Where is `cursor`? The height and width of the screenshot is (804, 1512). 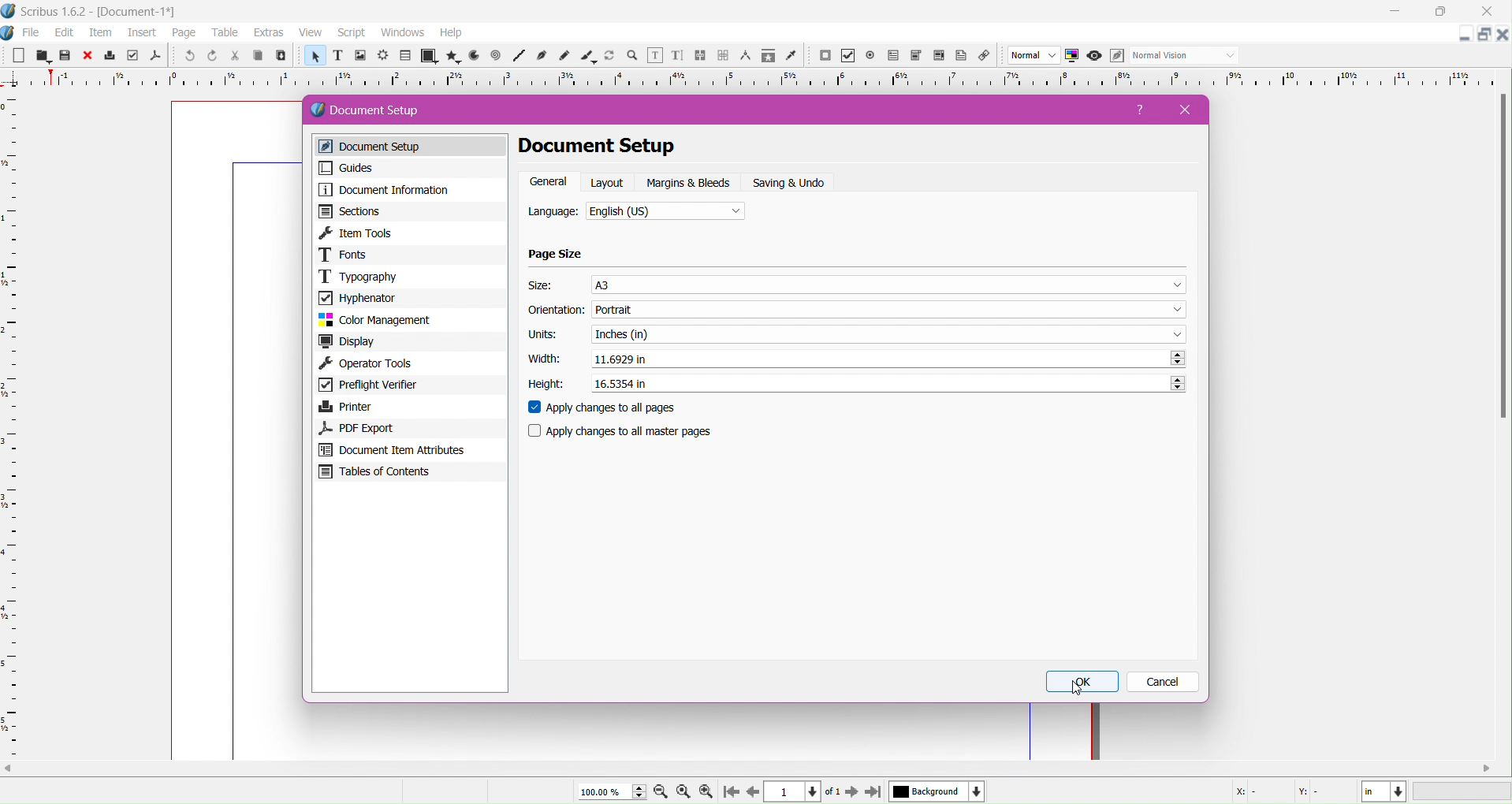 cursor is located at coordinates (1077, 689).